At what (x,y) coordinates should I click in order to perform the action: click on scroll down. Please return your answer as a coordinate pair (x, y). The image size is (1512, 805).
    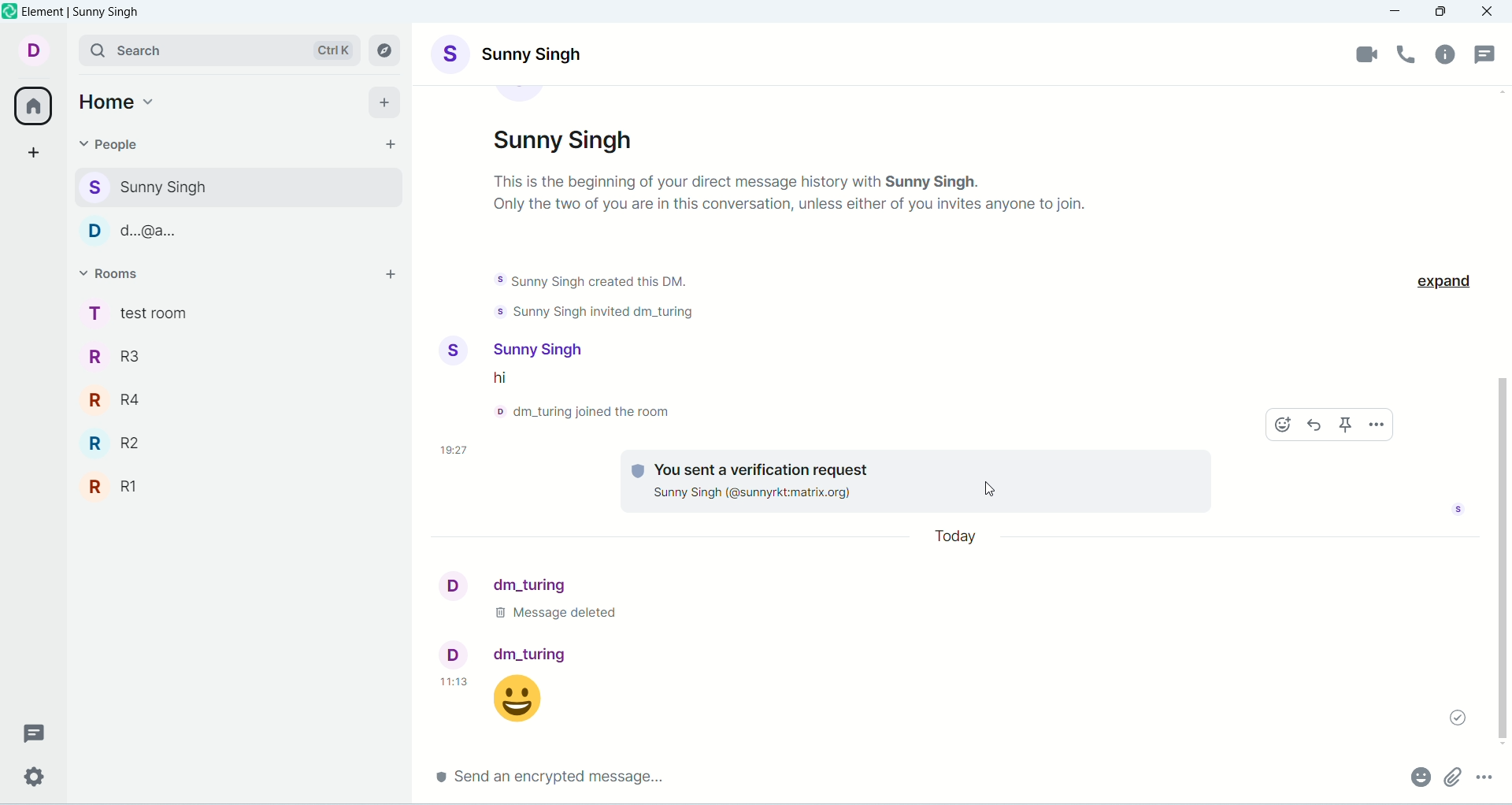
    Looking at the image, I should click on (1503, 743).